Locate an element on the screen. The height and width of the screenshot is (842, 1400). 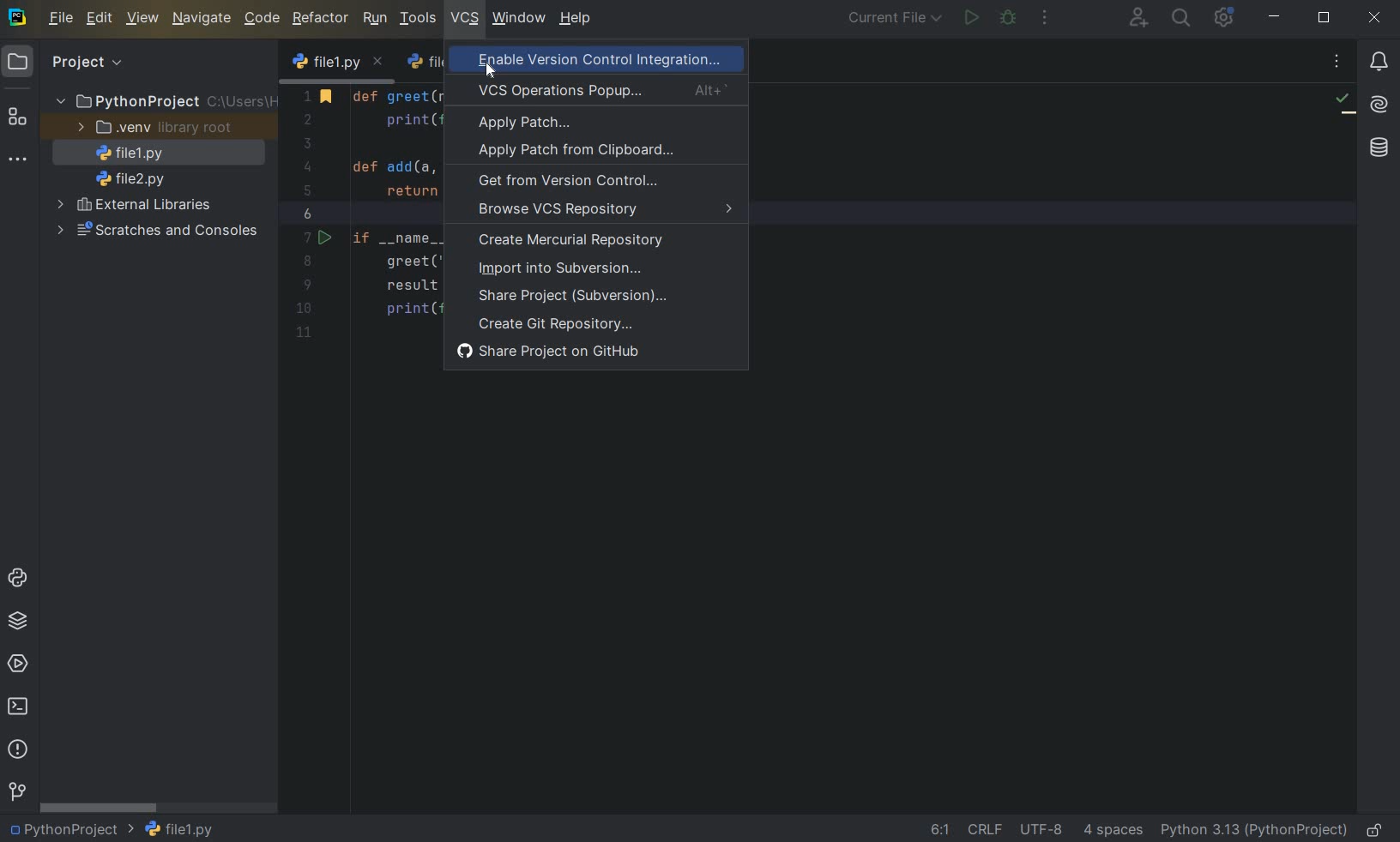
ide and projectsettings is located at coordinates (1223, 18).